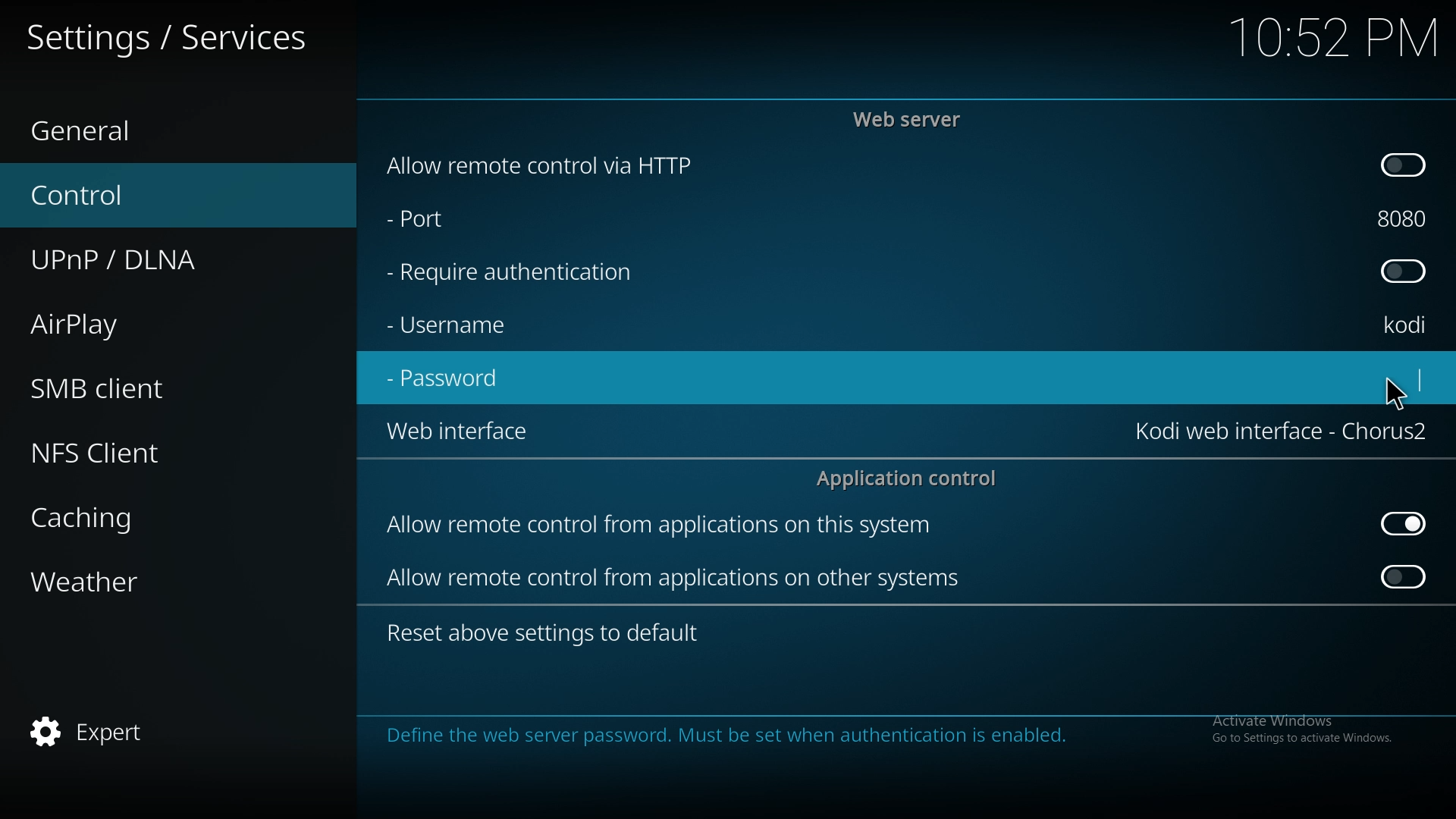 The width and height of the screenshot is (1456, 819). I want to click on cursor, so click(1394, 393).